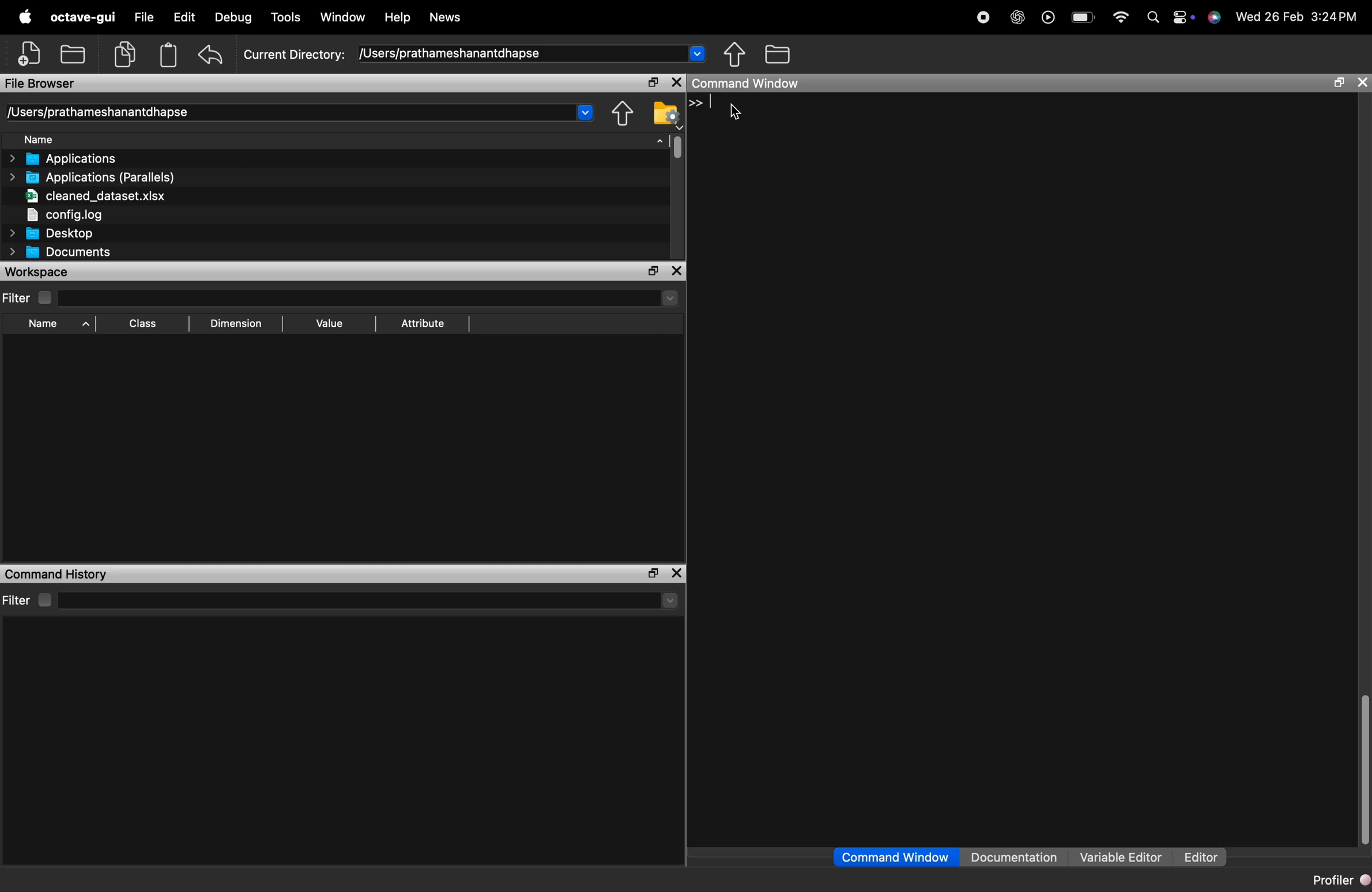 This screenshot has height=892, width=1372. What do you see at coordinates (92, 195) in the screenshot?
I see `cleaned dataset.xlsx` at bounding box center [92, 195].